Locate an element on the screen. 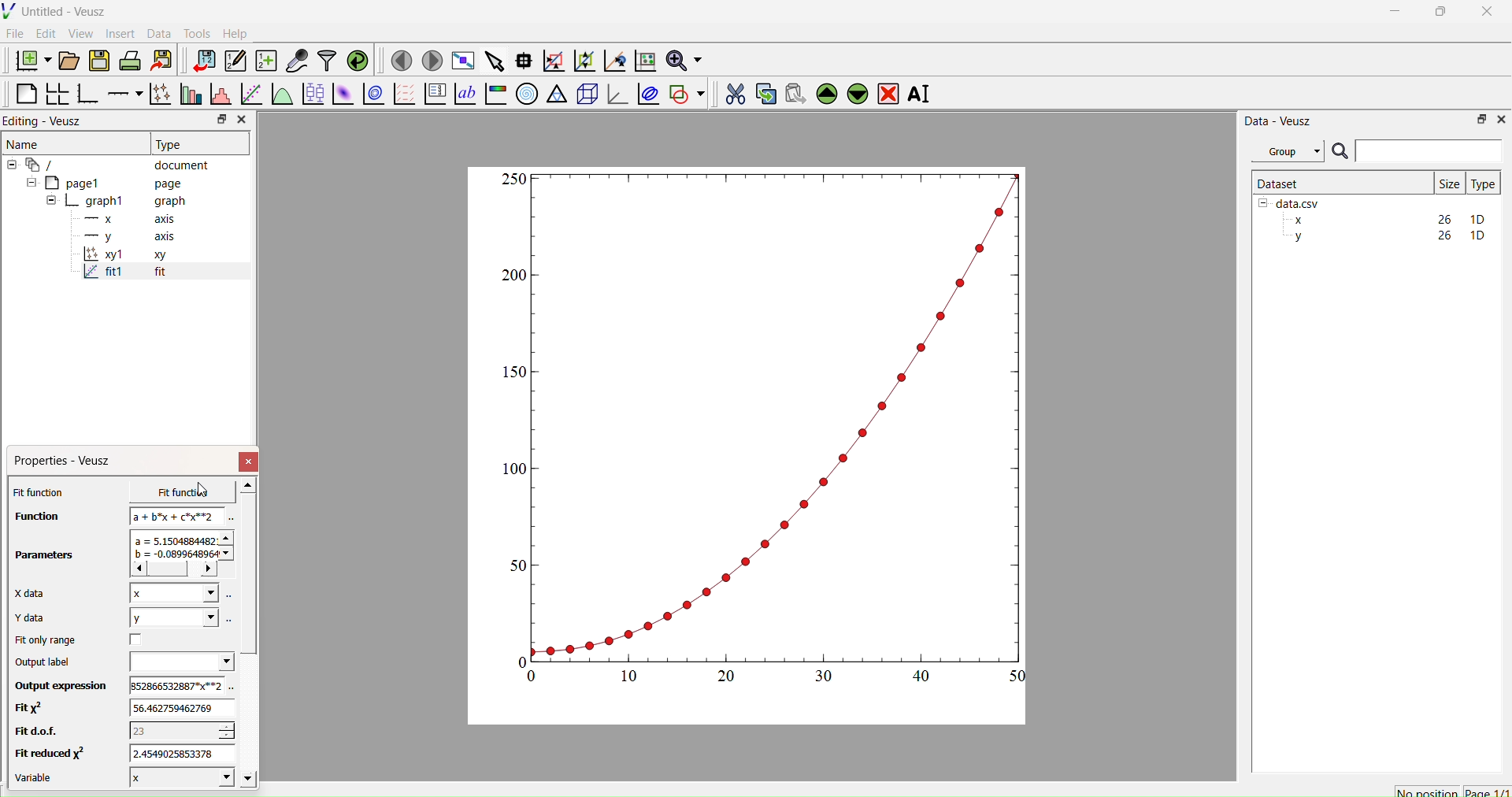 This screenshot has width=1512, height=797. Editing - Veusz is located at coordinates (47, 120).